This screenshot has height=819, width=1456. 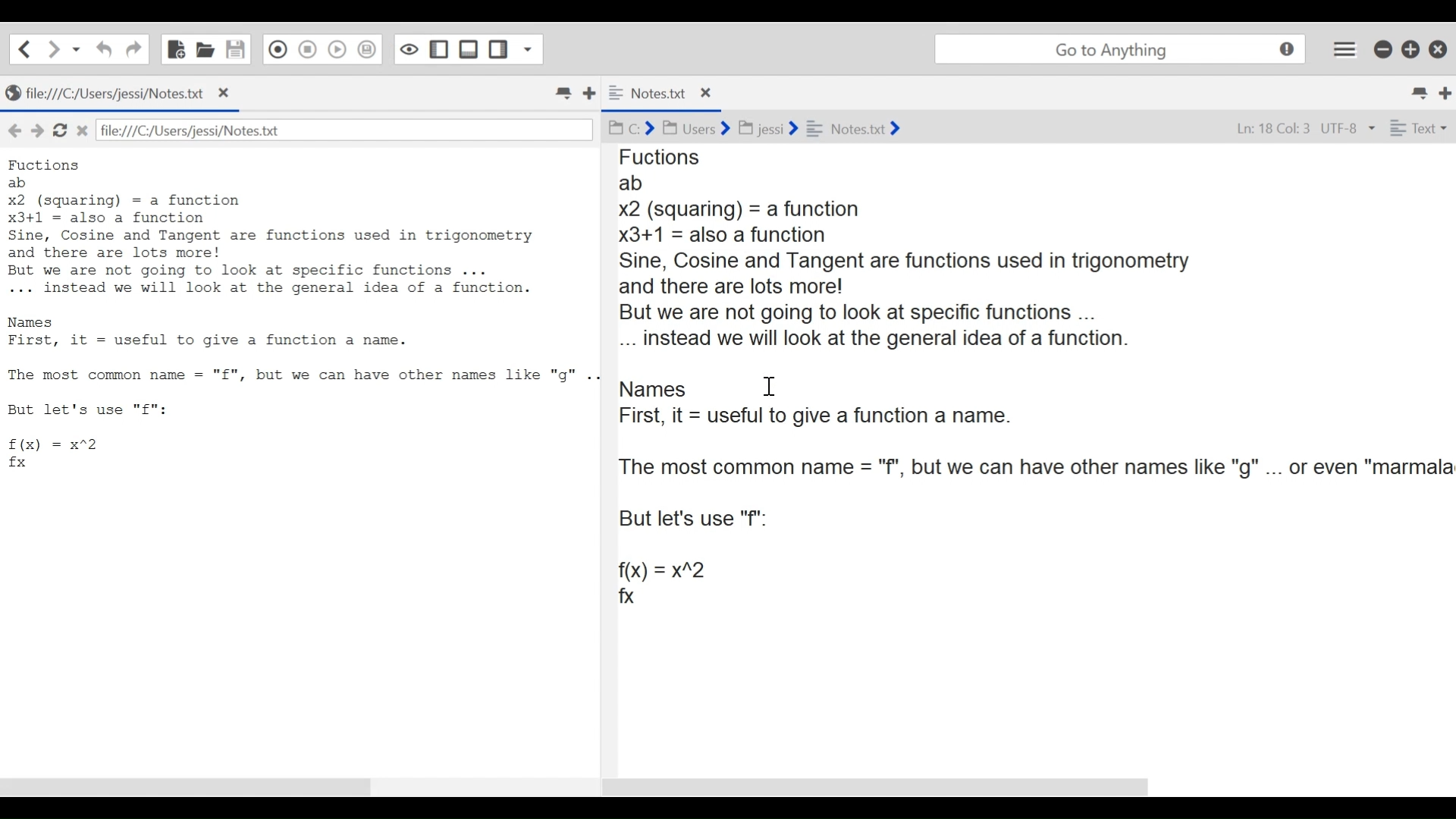 I want to click on utf- 8, so click(x=1348, y=130).